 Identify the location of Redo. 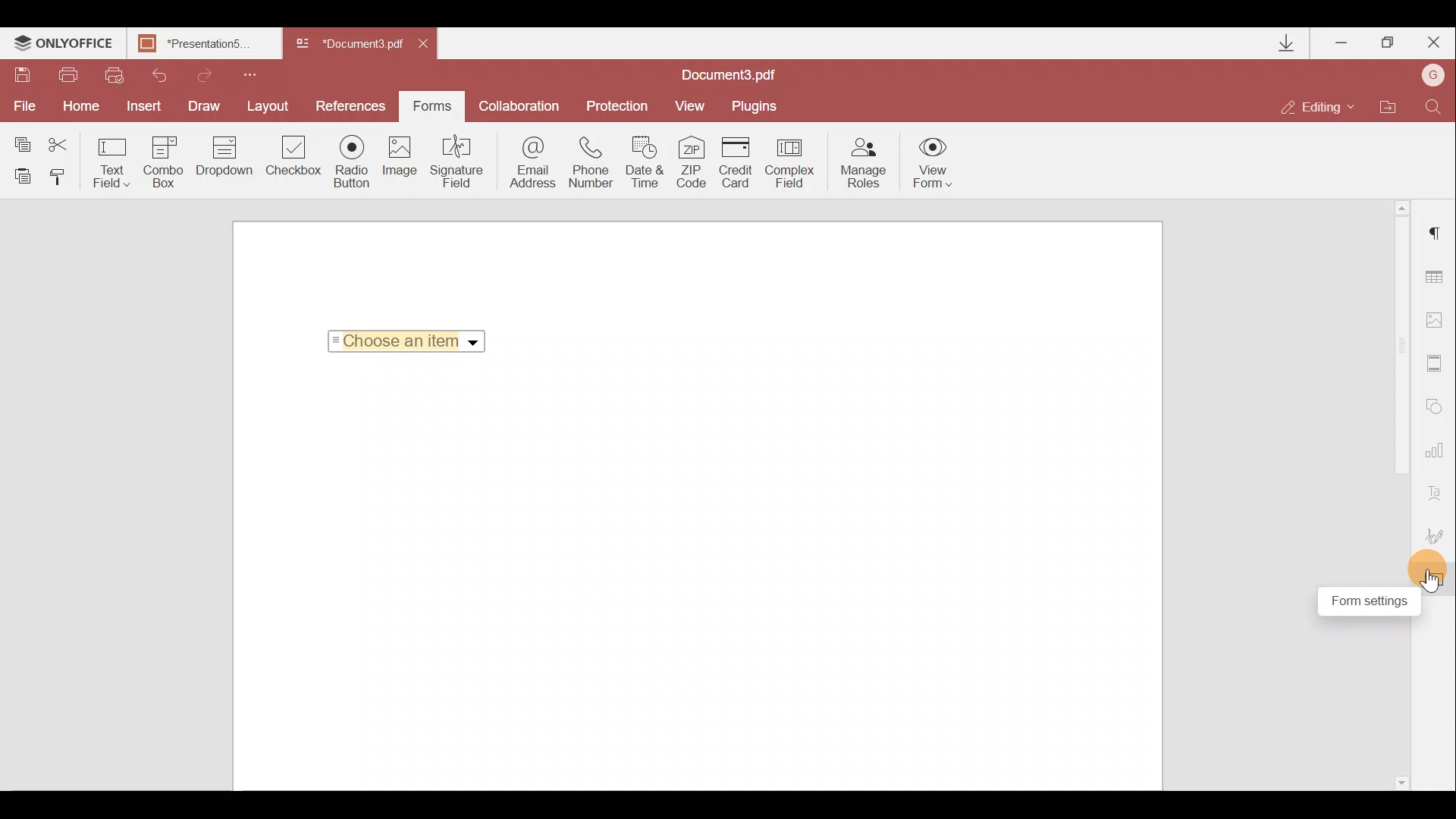
(197, 73).